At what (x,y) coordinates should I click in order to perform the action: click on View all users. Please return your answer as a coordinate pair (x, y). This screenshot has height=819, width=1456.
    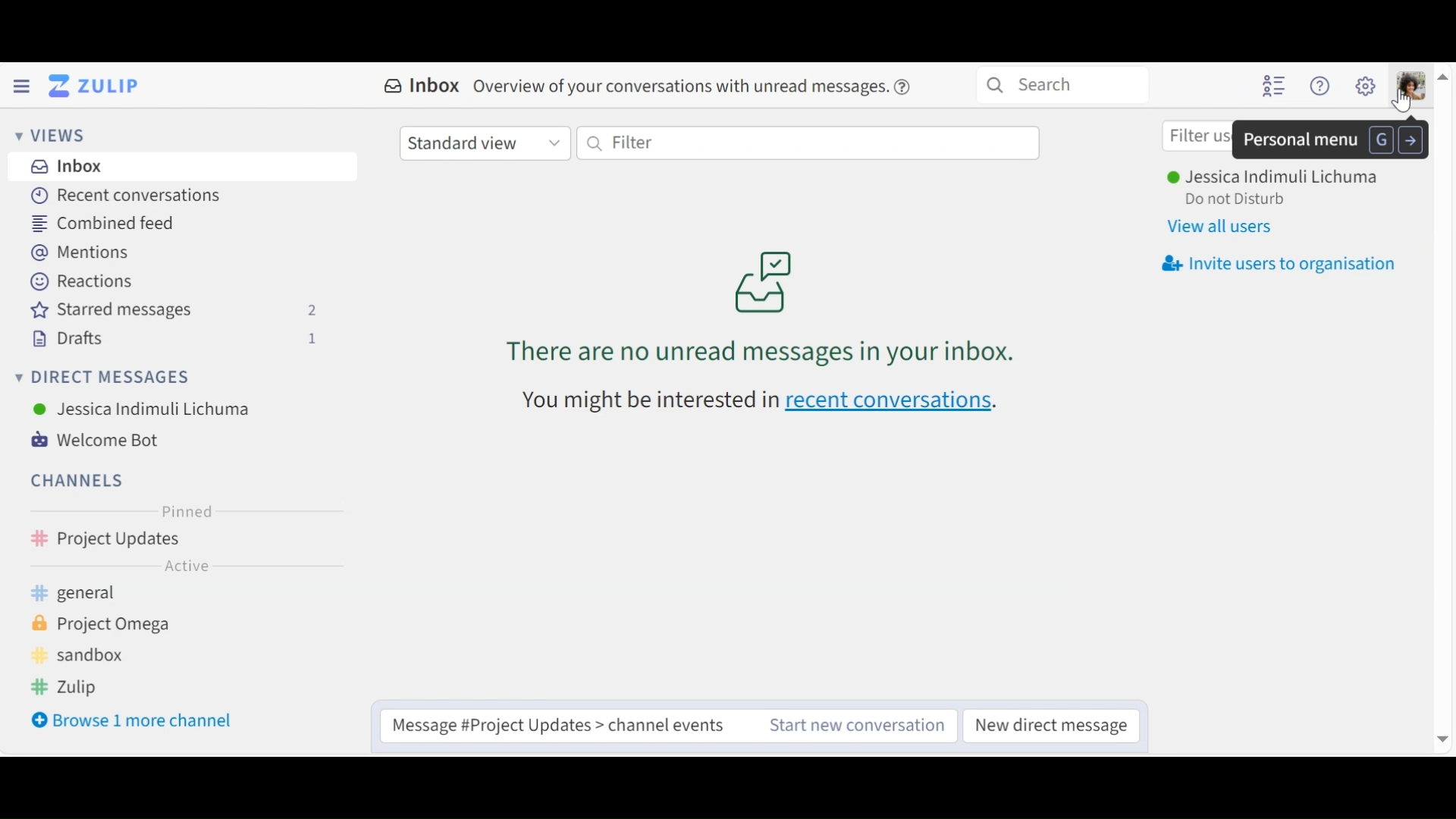
    Looking at the image, I should click on (1225, 226).